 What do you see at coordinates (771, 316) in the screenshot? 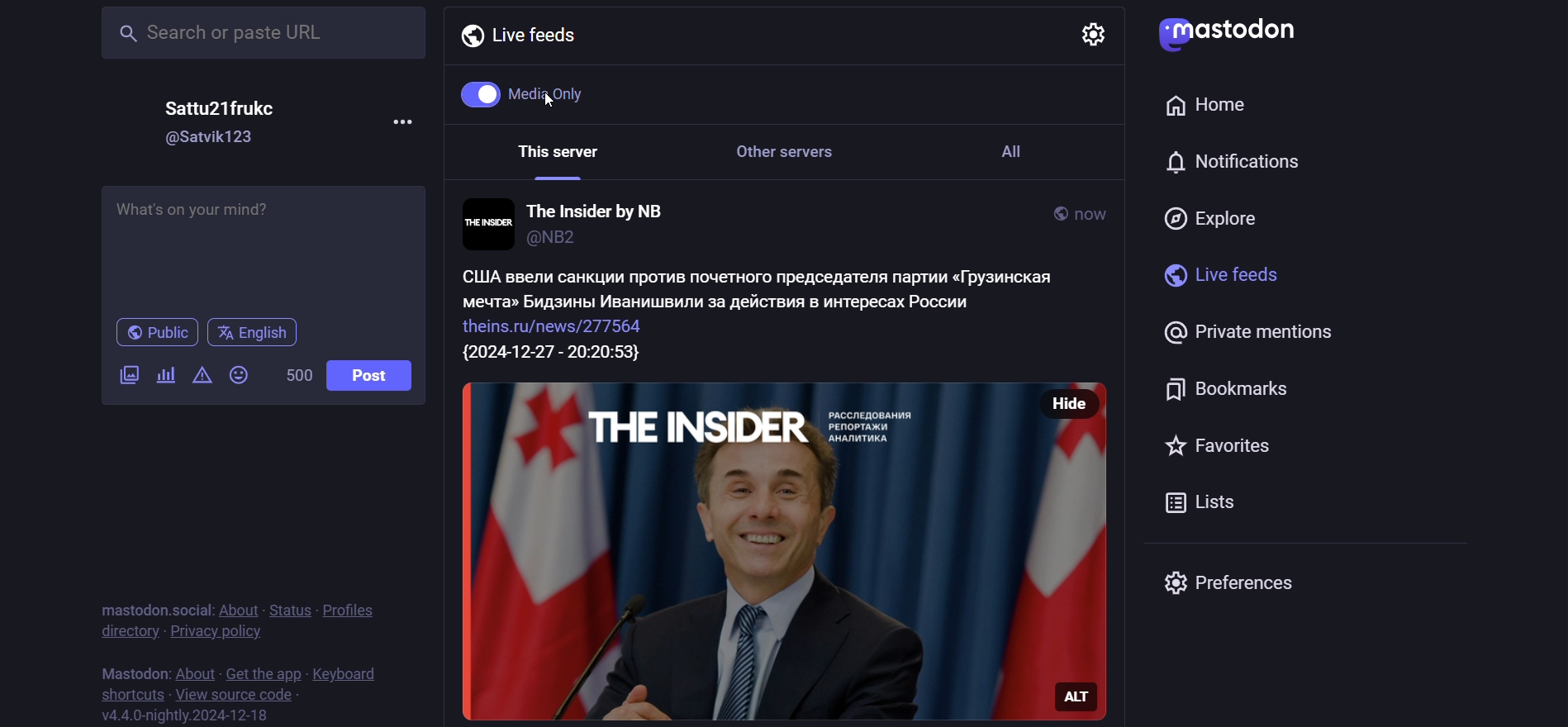
I see `CILLA BBENM CaHKLMM NPOTUB MOYETHOro NpeacesaTens naptum «pysuHckas
MeuTa» buasuHbl UBaHUWBKNY 3a eiCTBUA B MHTepecax Poccun
theins.ru/news/277564

{2024-12-27 - 20:20:53}` at bounding box center [771, 316].